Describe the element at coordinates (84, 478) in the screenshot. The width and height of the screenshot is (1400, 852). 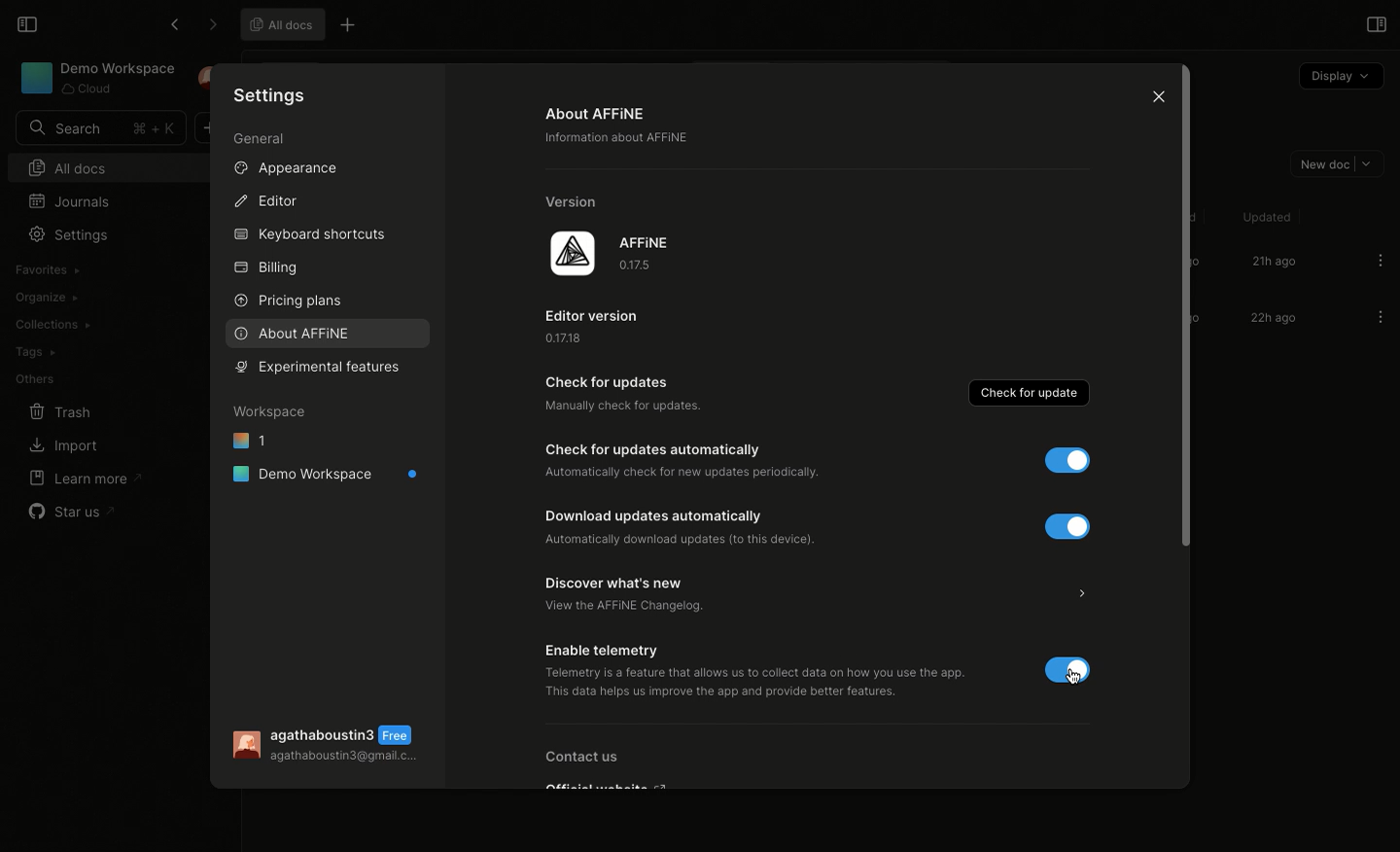
I see `Learn more` at that location.